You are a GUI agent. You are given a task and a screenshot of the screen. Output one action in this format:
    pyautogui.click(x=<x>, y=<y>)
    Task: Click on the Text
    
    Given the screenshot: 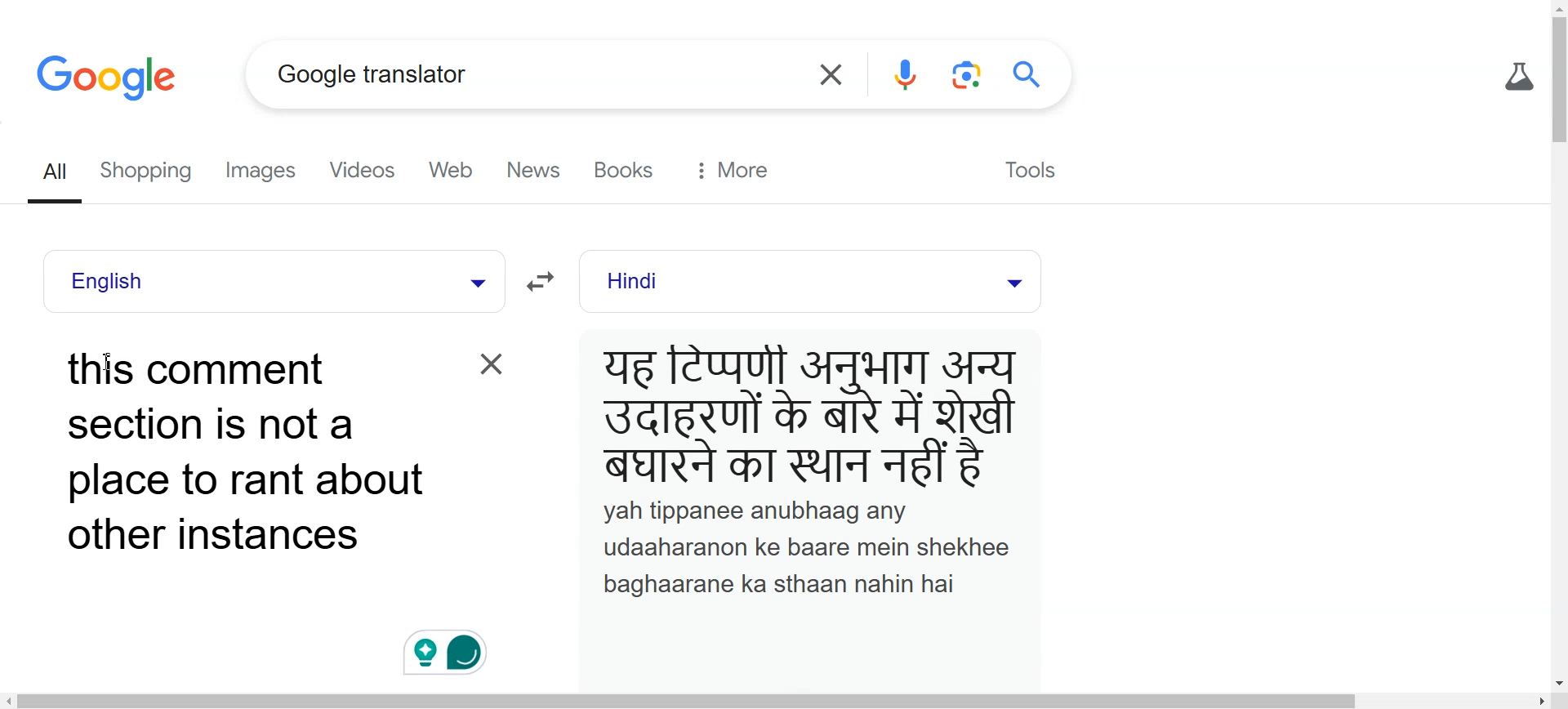 What is the action you would take?
    pyautogui.click(x=372, y=74)
    